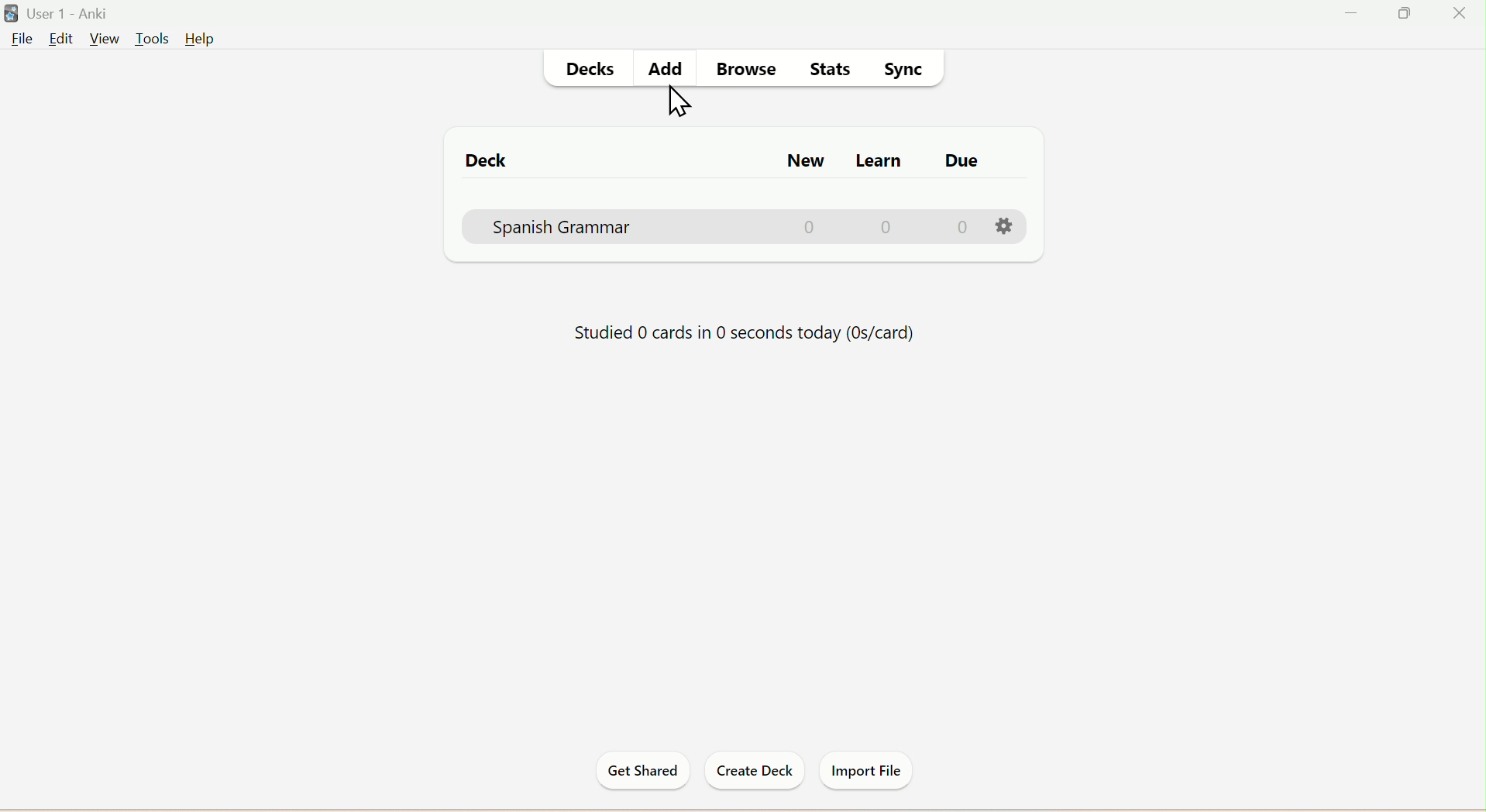 Image resolution: width=1486 pixels, height=812 pixels. I want to click on Status of Progress, so click(741, 332).